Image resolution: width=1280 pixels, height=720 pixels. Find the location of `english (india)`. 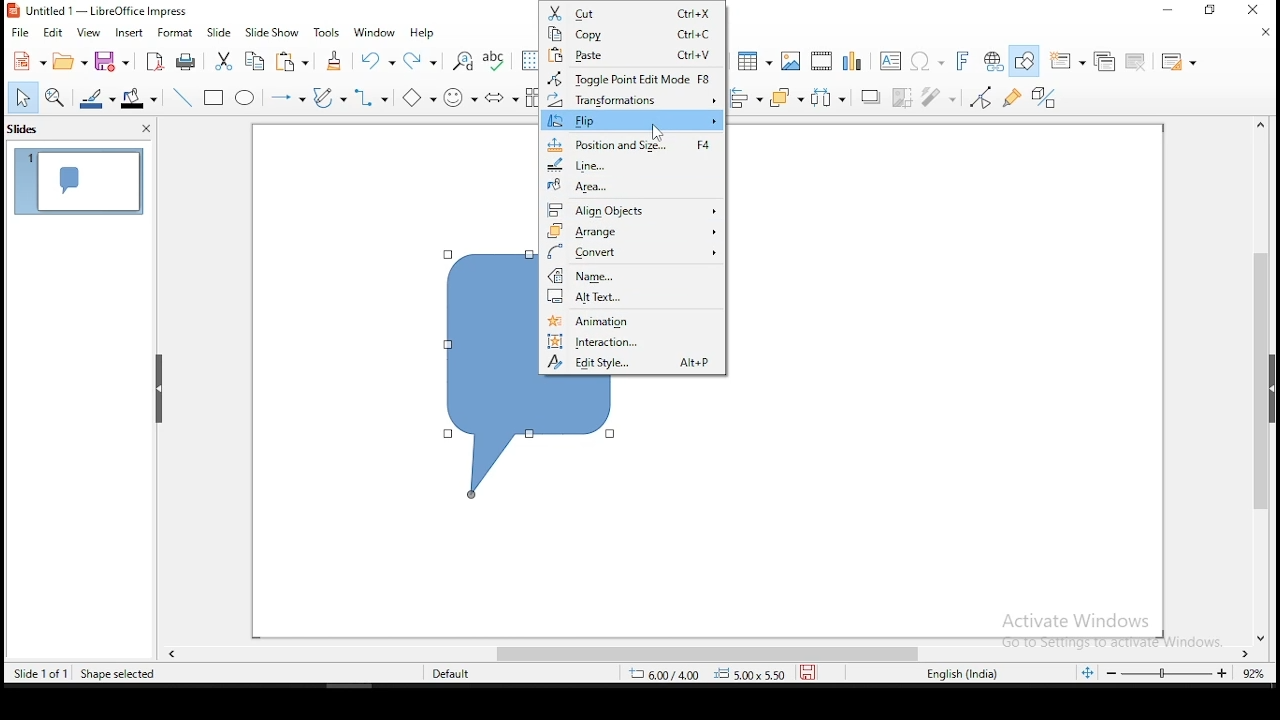

english (india) is located at coordinates (954, 671).